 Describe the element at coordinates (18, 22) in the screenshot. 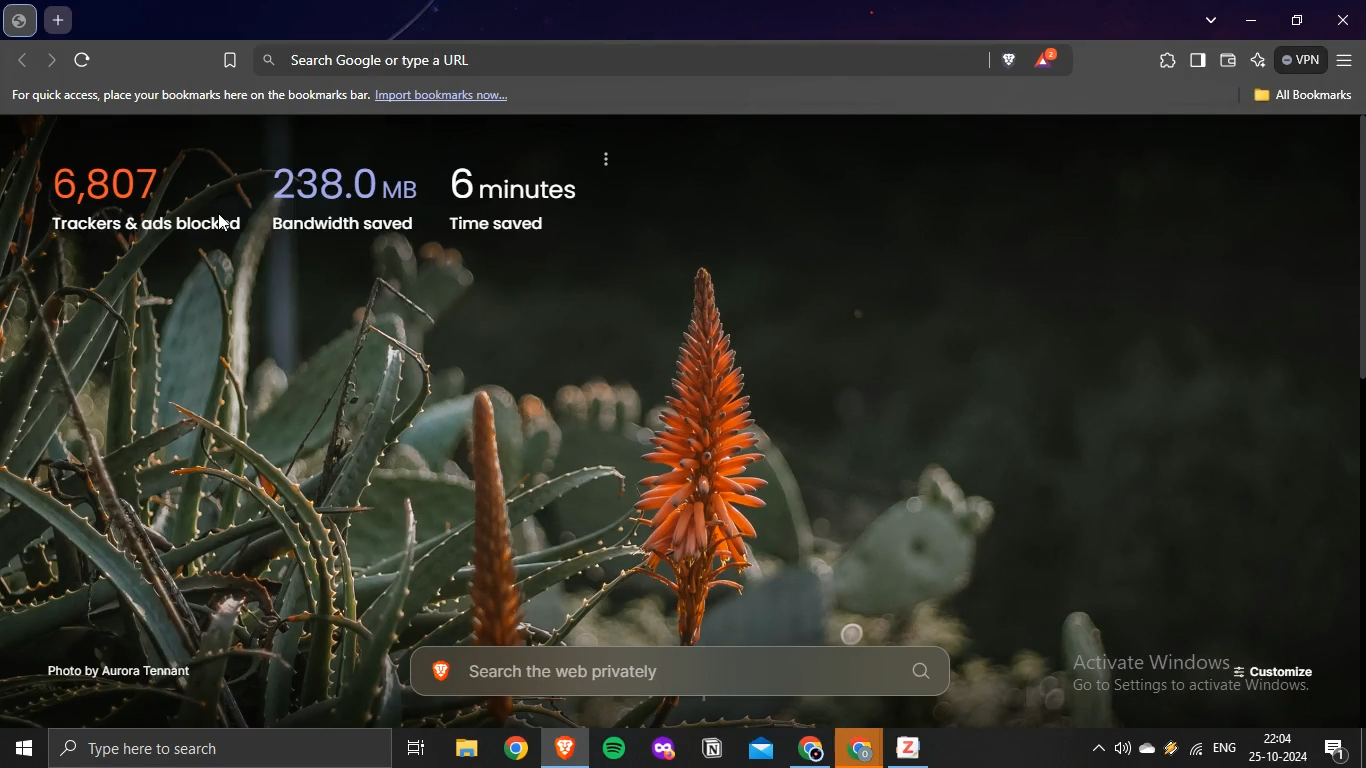

I see `pinned` at that location.